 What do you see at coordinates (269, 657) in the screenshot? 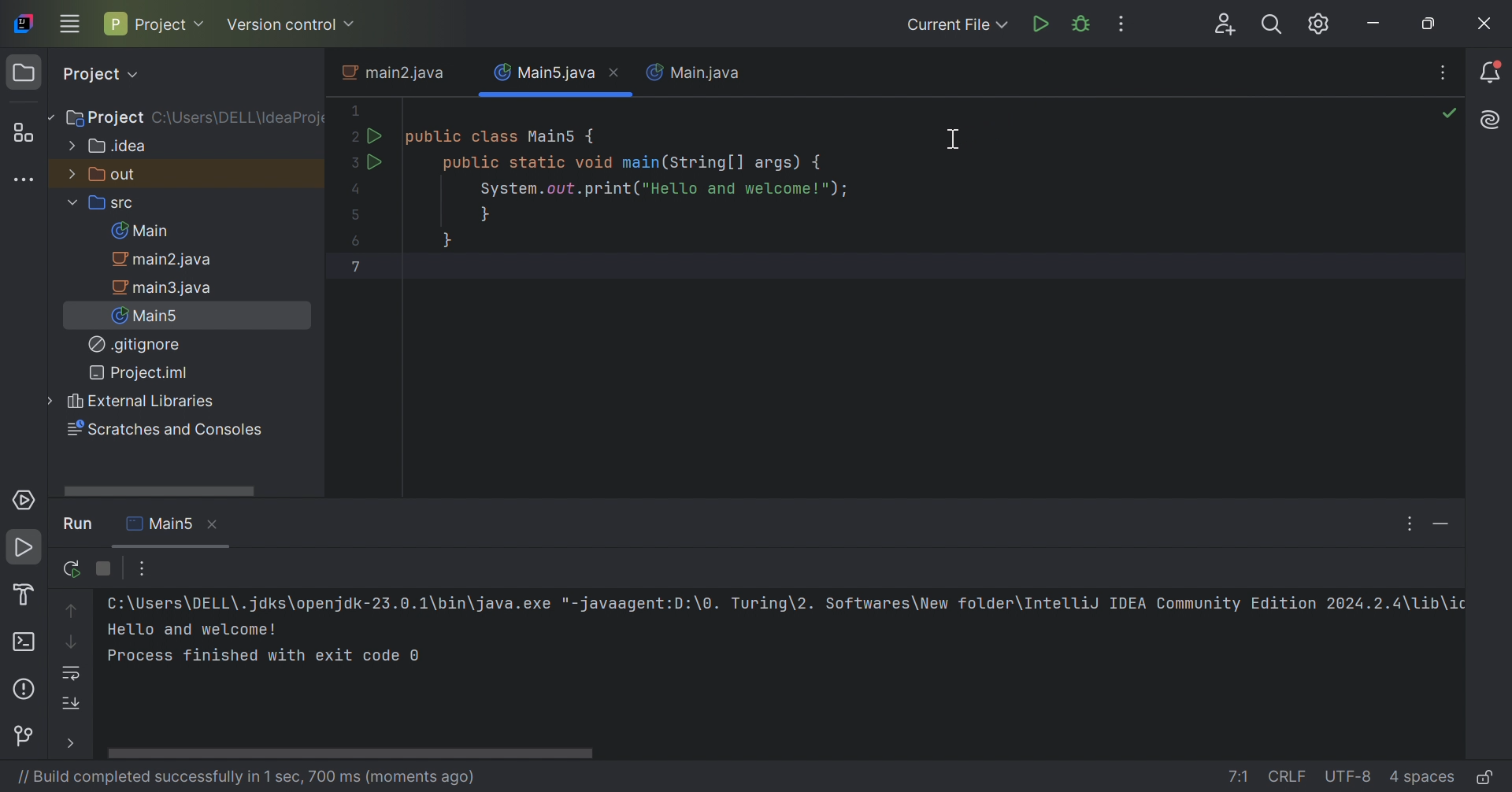
I see `Process finished with exit code 0` at bounding box center [269, 657].